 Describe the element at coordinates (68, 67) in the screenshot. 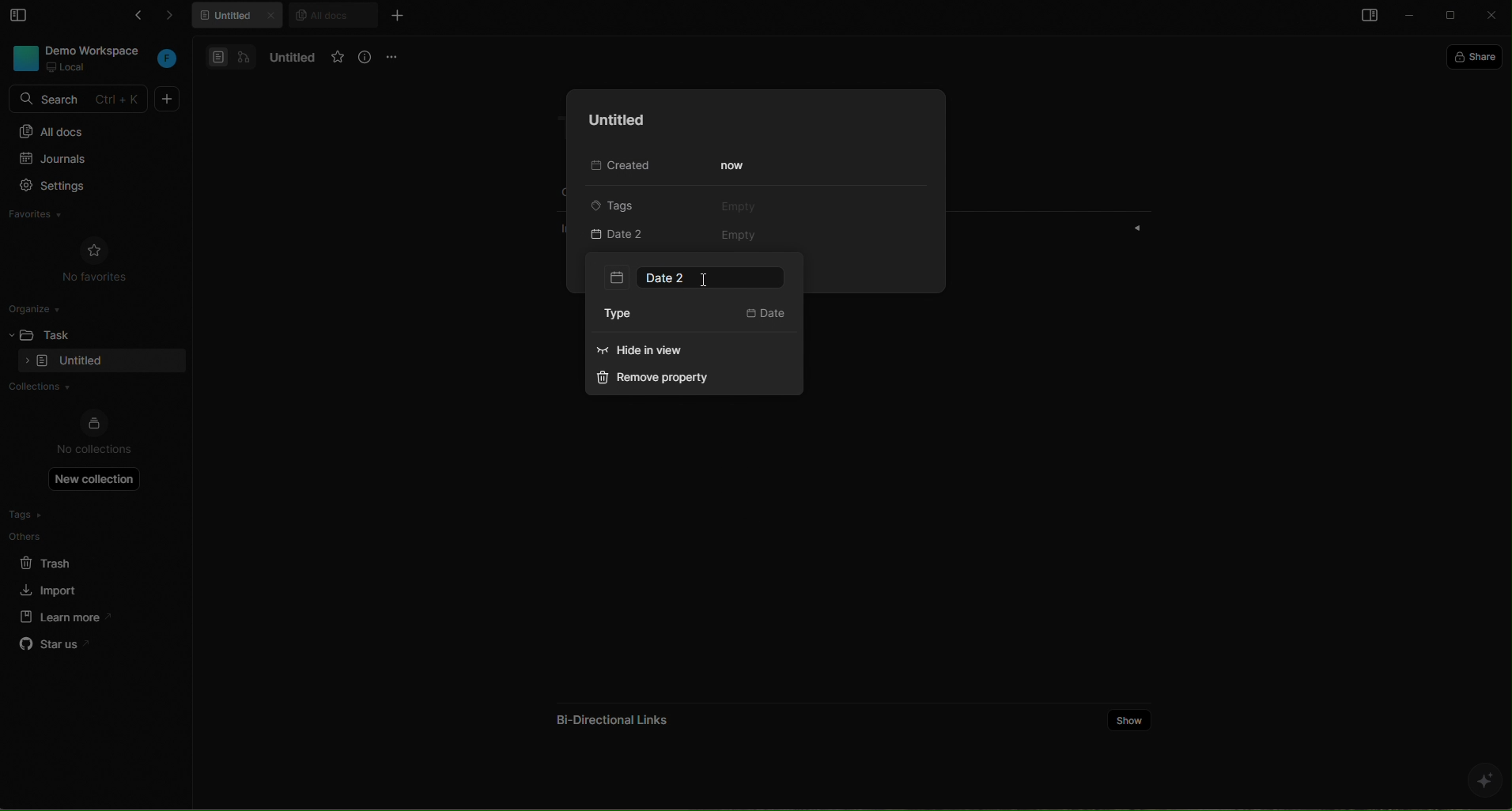

I see `local` at that location.